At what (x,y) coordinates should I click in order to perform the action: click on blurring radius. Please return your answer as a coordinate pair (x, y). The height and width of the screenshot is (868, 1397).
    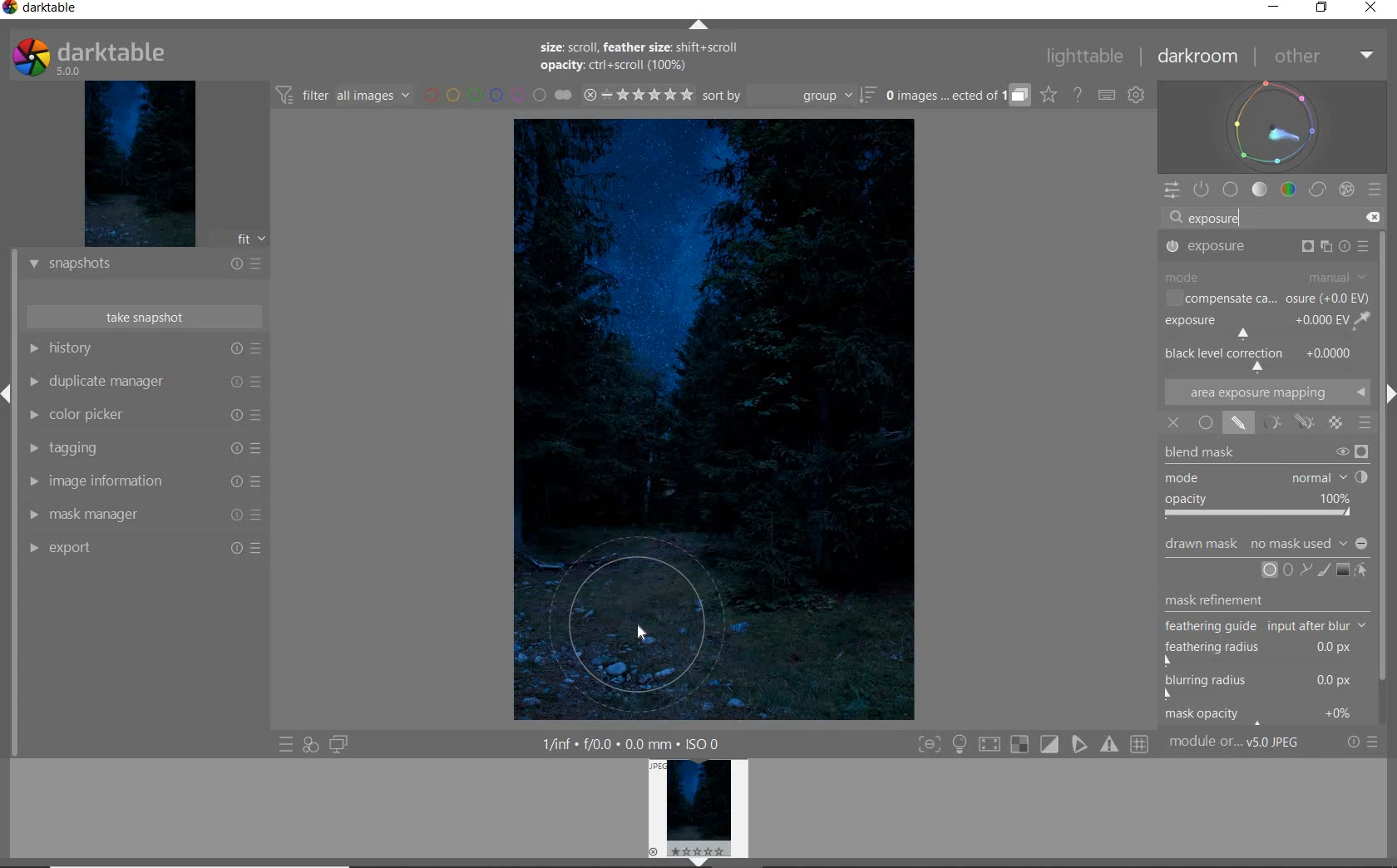
    Looking at the image, I should click on (1260, 688).